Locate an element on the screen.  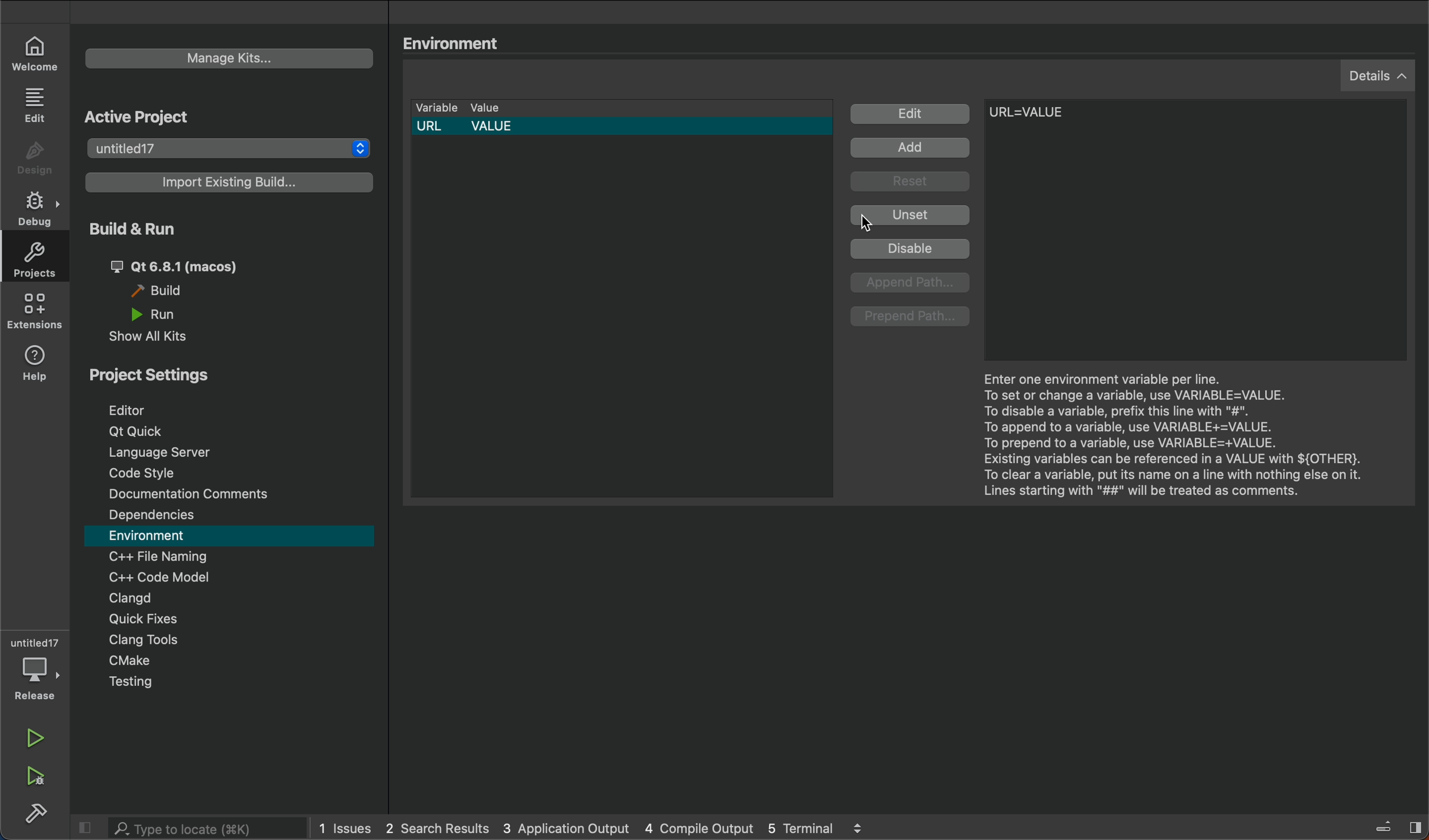
welcome is located at coordinates (33, 50).